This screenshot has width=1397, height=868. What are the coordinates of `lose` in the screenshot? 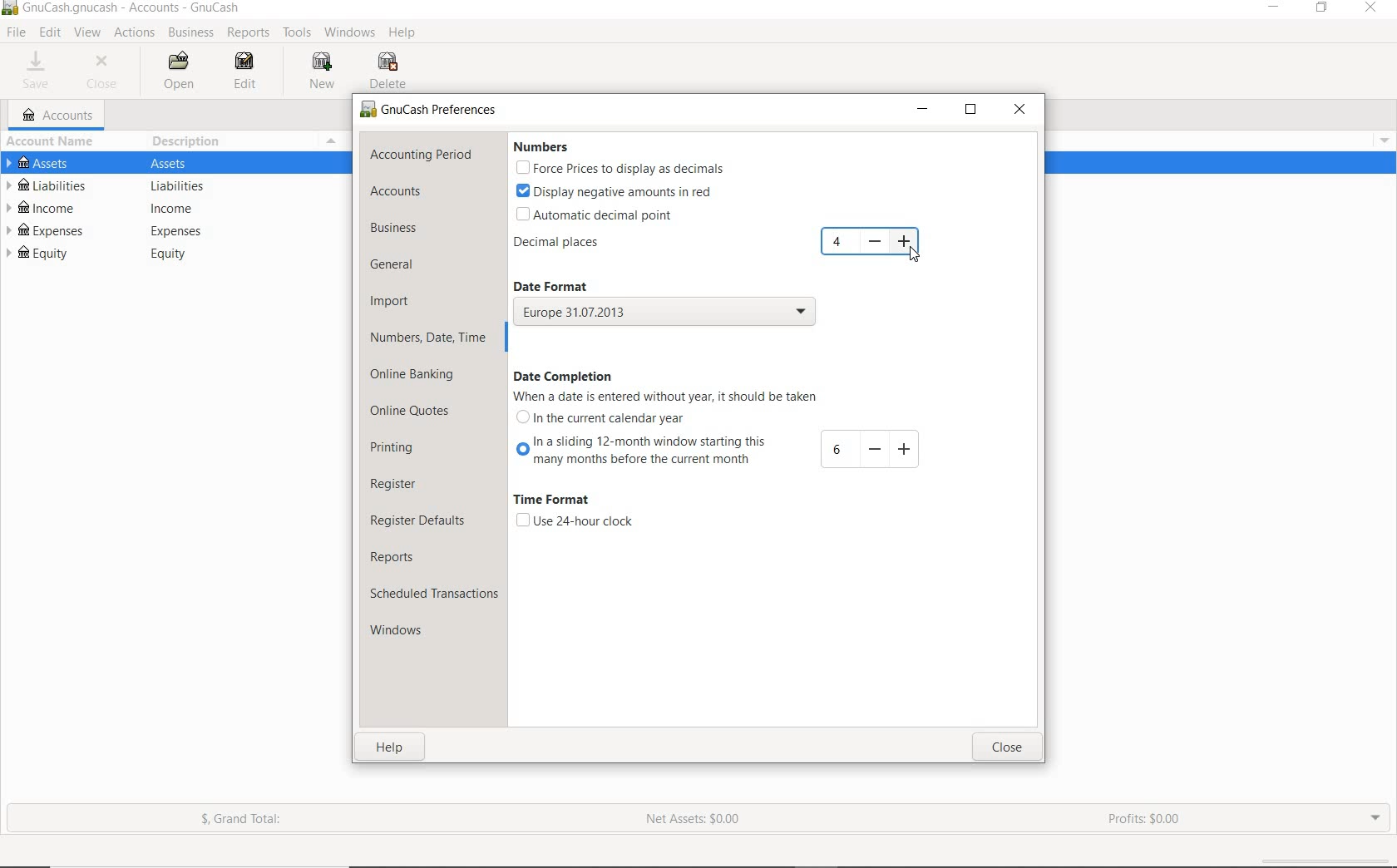 It's located at (1009, 747).